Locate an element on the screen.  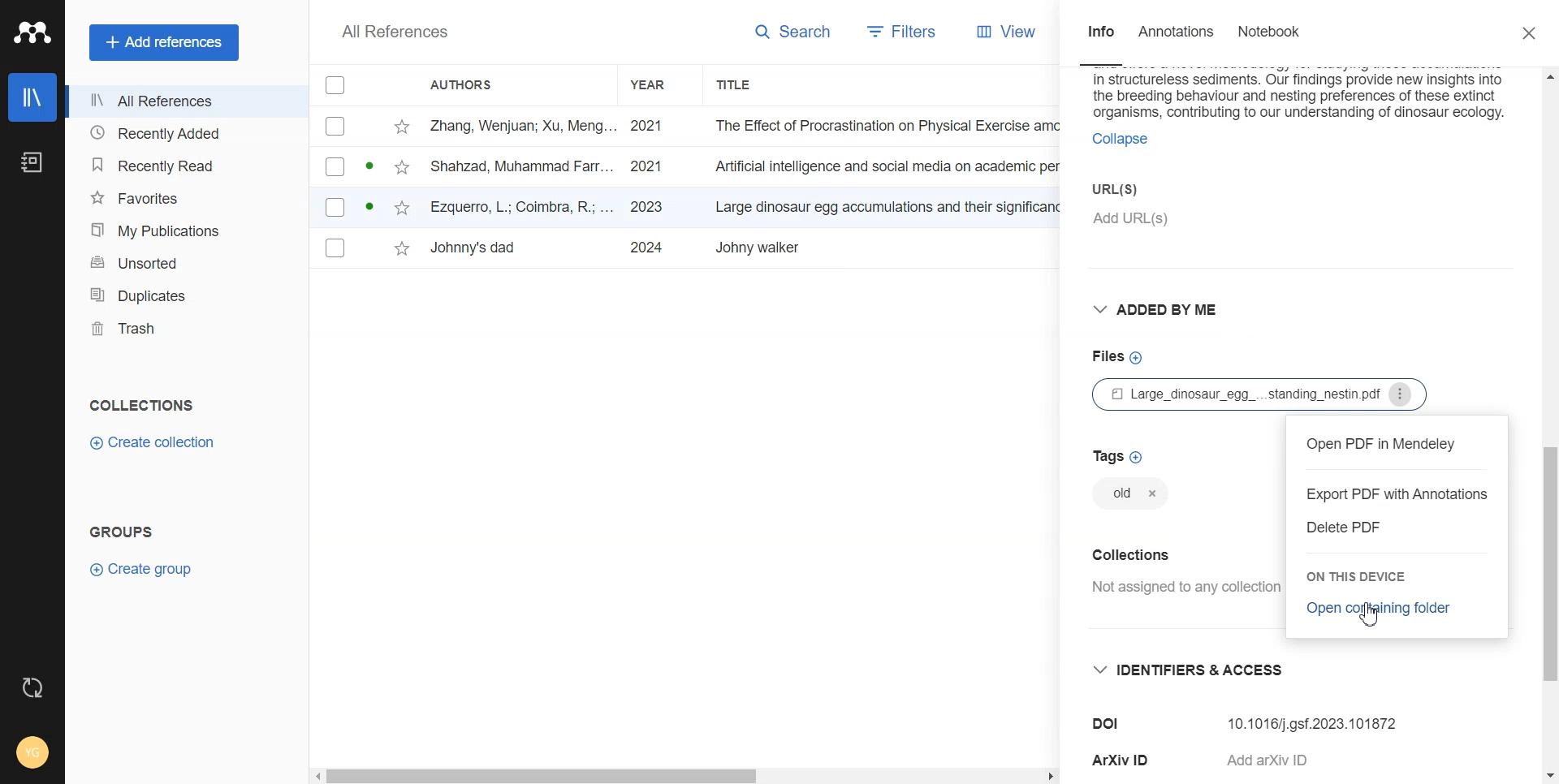
Scroll Right is located at coordinates (1049, 778).